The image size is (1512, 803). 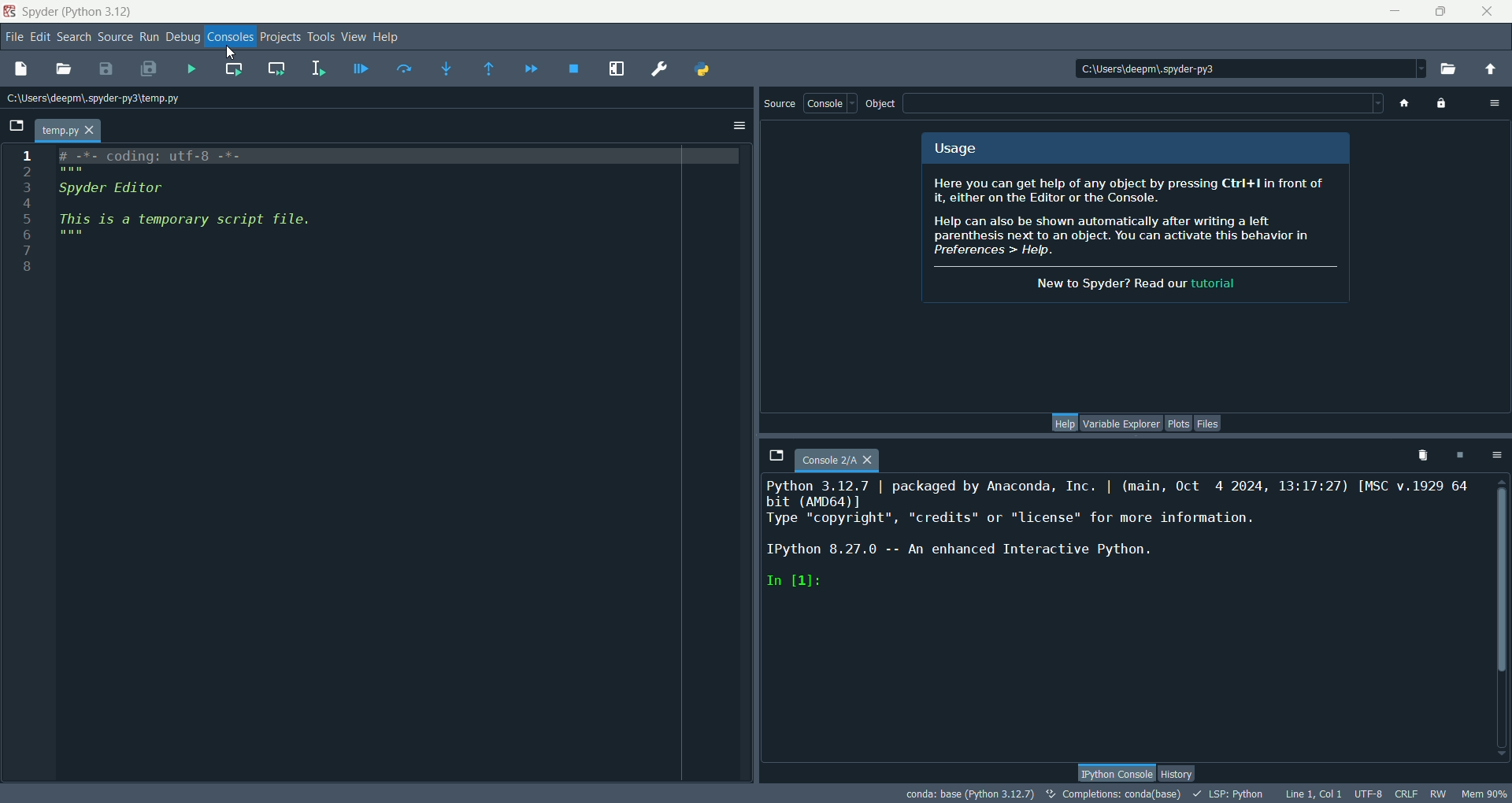 What do you see at coordinates (80, 13) in the screenshot?
I see `spyder` at bounding box center [80, 13].